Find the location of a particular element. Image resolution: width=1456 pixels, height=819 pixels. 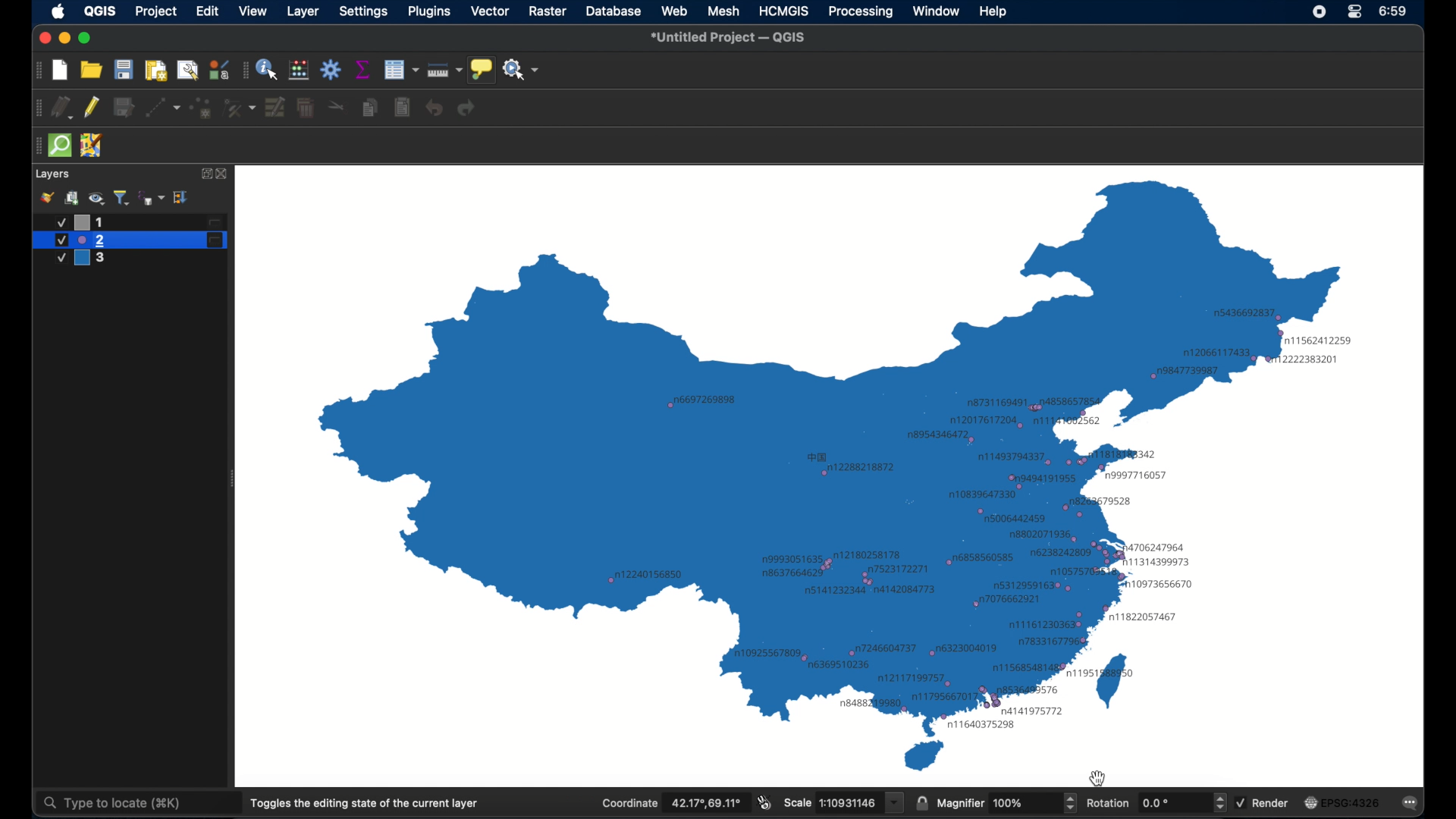

add point feature is located at coordinates (202, 108).